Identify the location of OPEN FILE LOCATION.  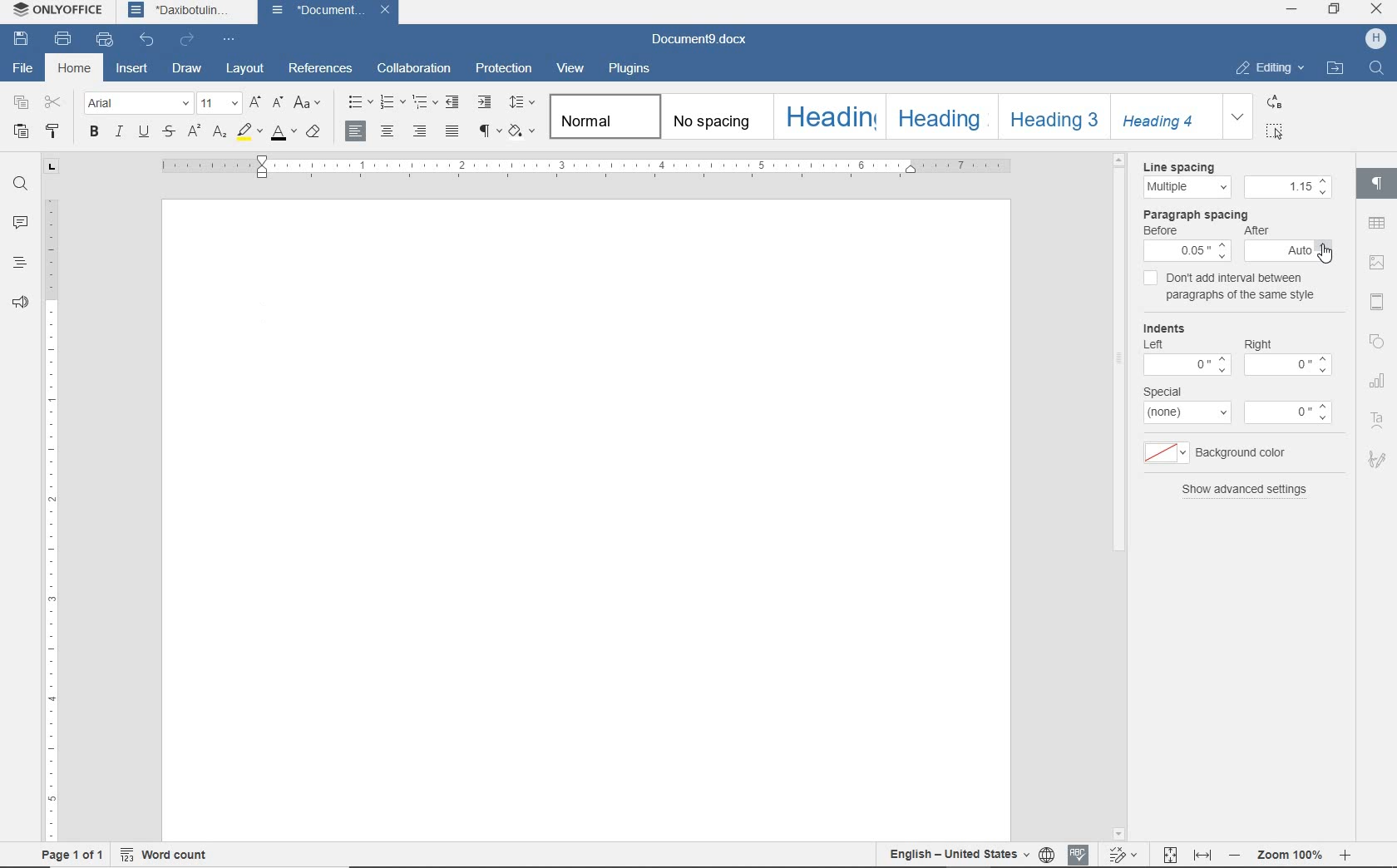
(1335, 67).